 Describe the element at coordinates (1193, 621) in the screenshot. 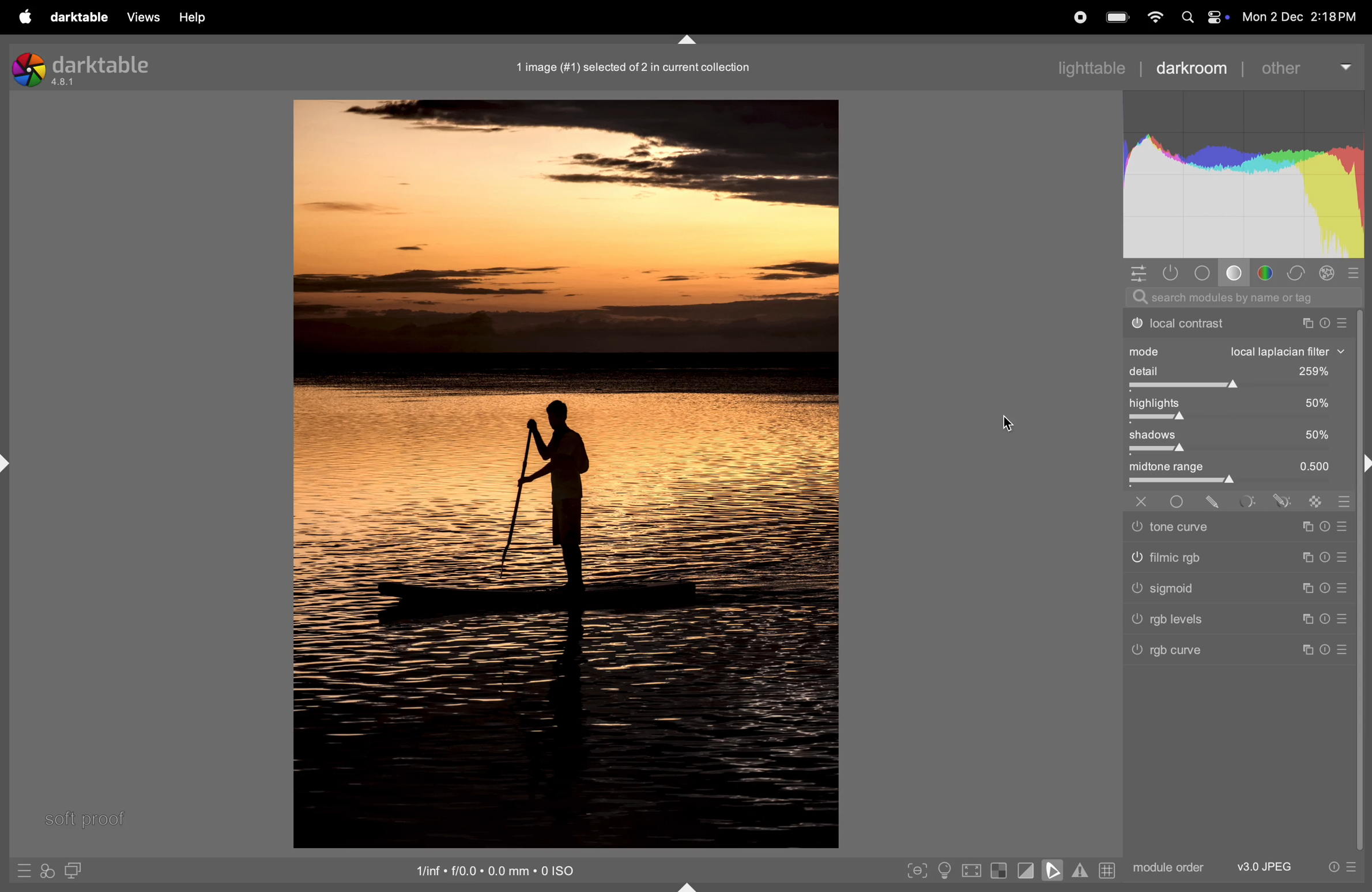

I see `` at that location.